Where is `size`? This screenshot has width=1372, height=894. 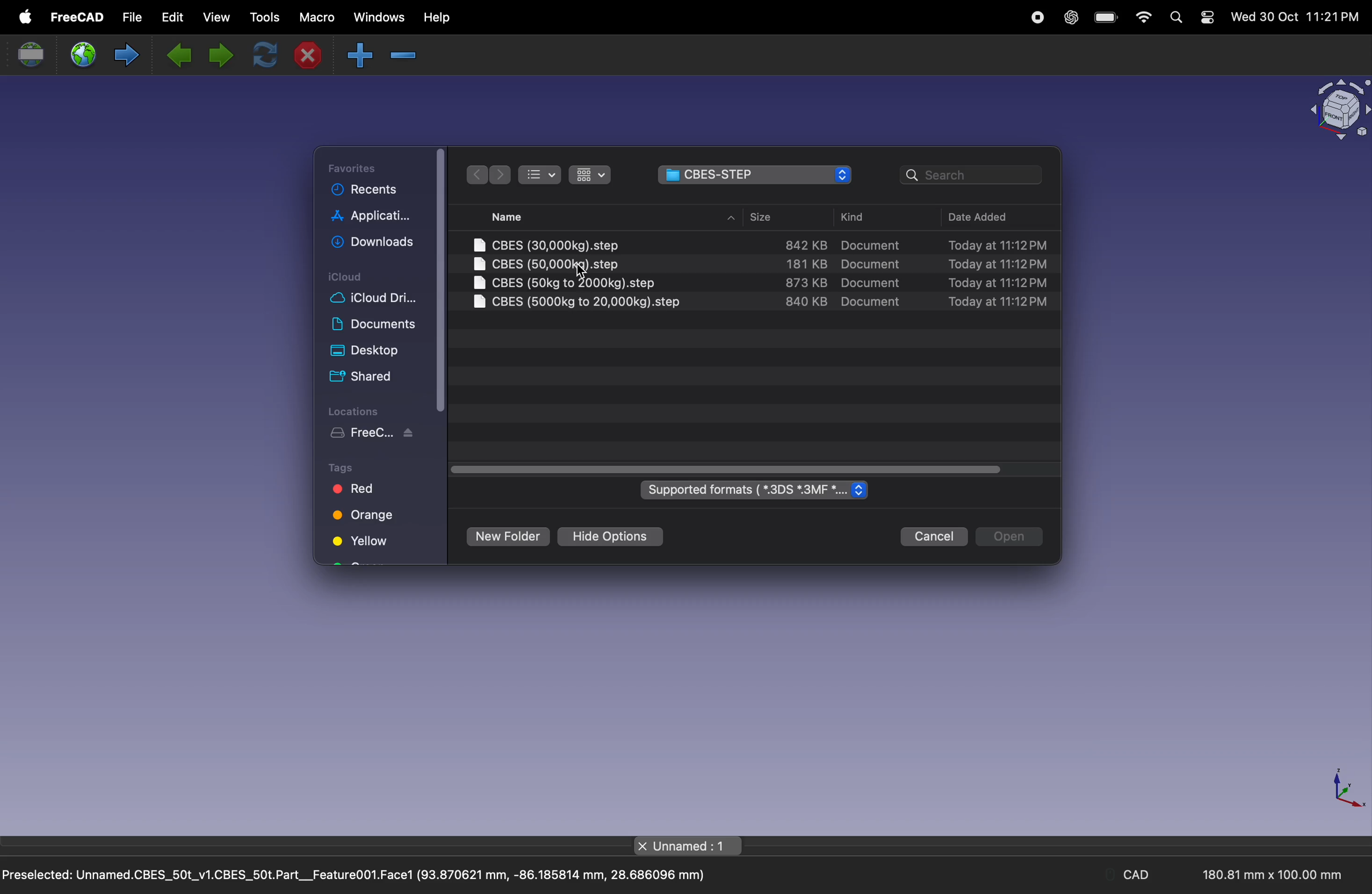 size is located at coordinates (770, 219).